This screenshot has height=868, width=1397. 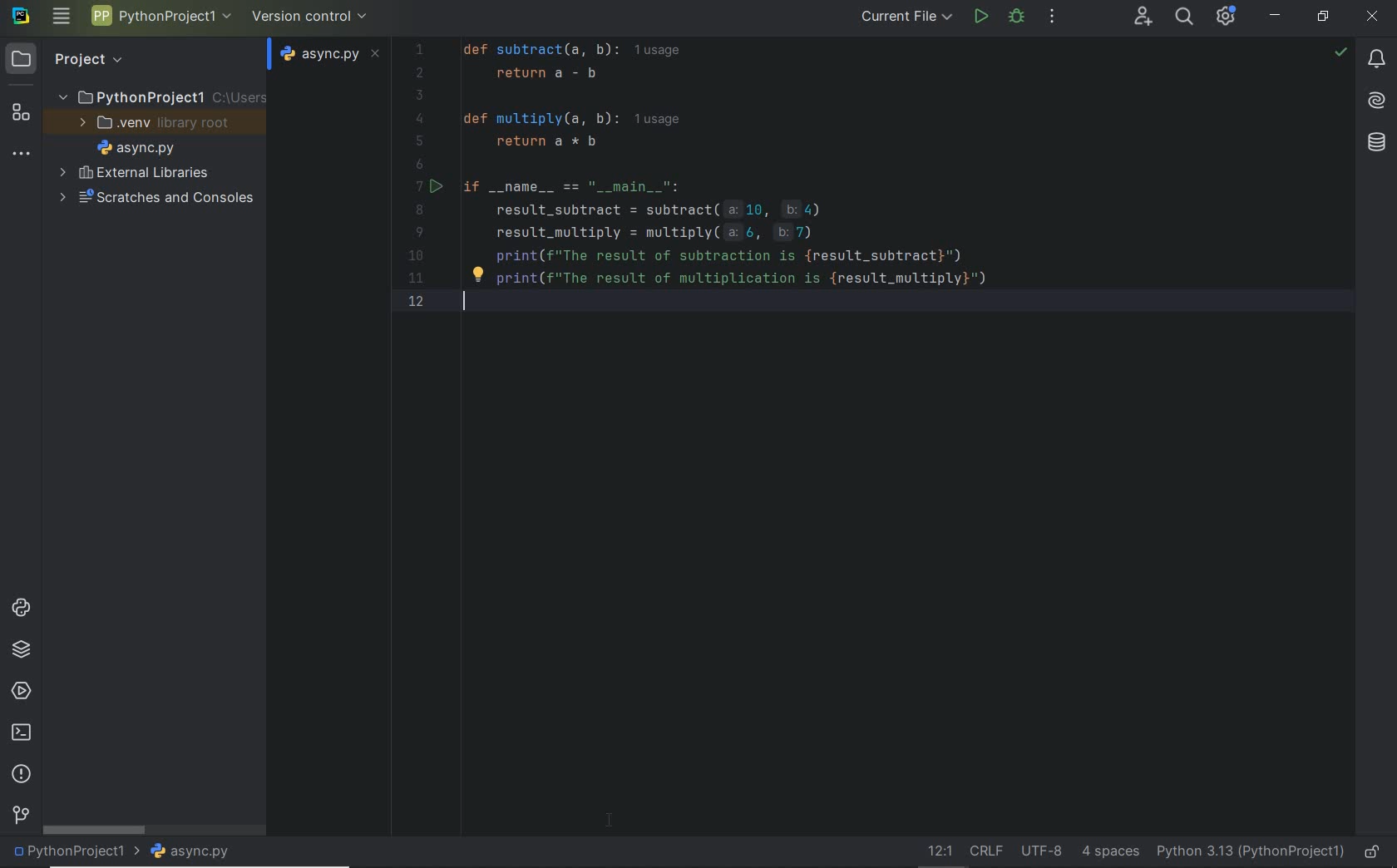 What do you see at coordinates (1375, 141) in the screenshot?
I see `Database` at bounding box center [1375, 141].